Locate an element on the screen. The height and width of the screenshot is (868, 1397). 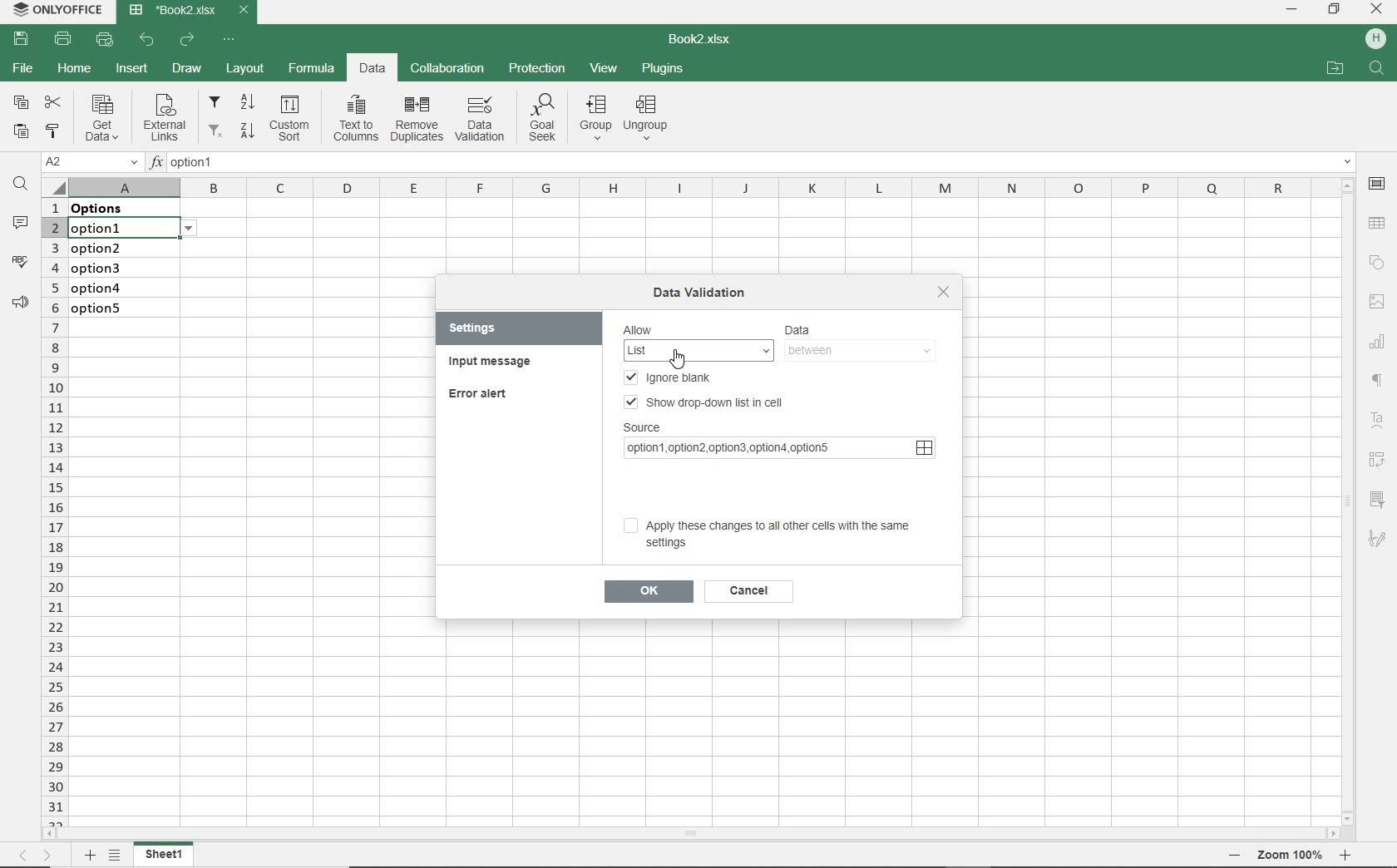
RESTORE DOWN is located at coordinates (1335, 11).